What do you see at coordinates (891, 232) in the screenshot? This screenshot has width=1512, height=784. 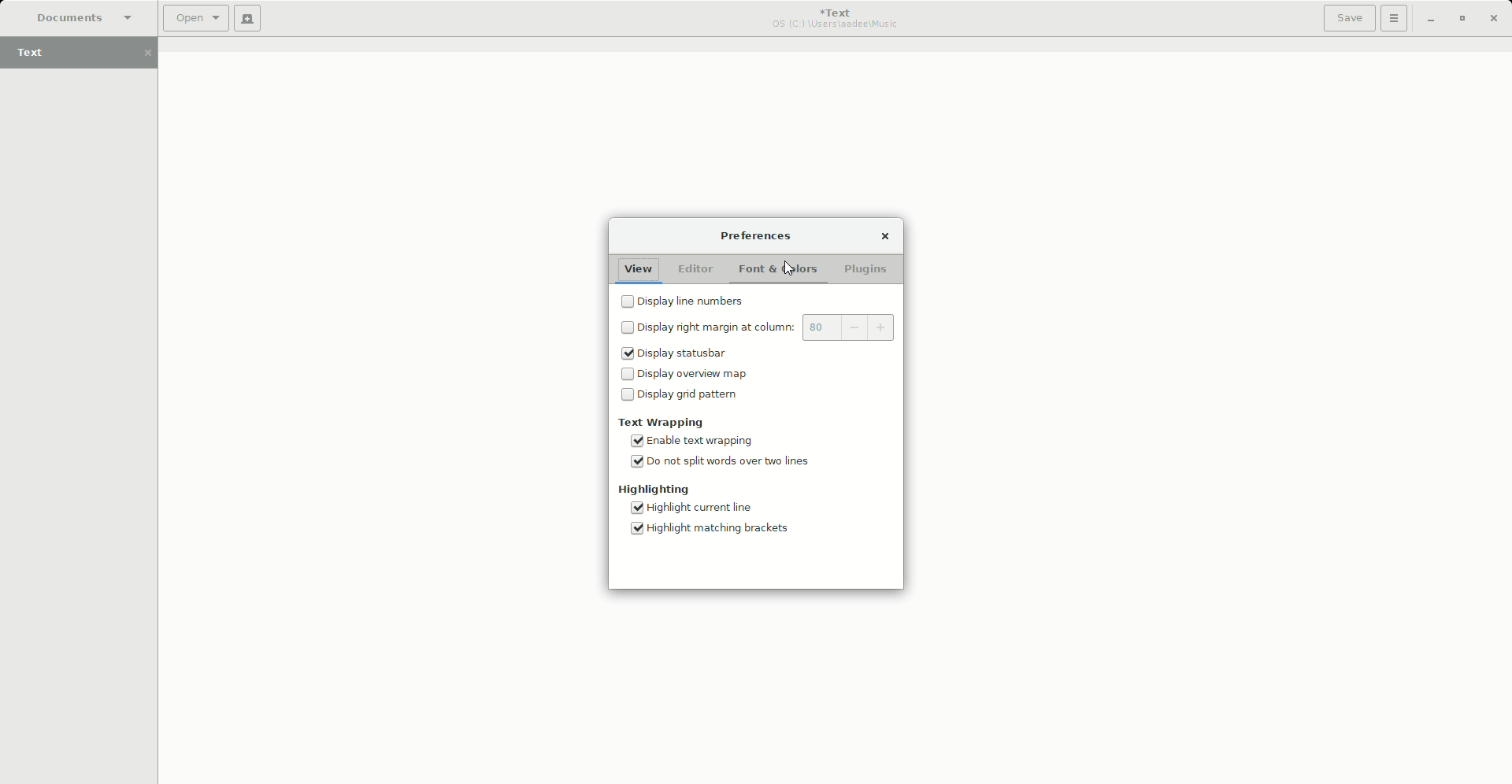 I see `Close` at bounding box center [891, 232].